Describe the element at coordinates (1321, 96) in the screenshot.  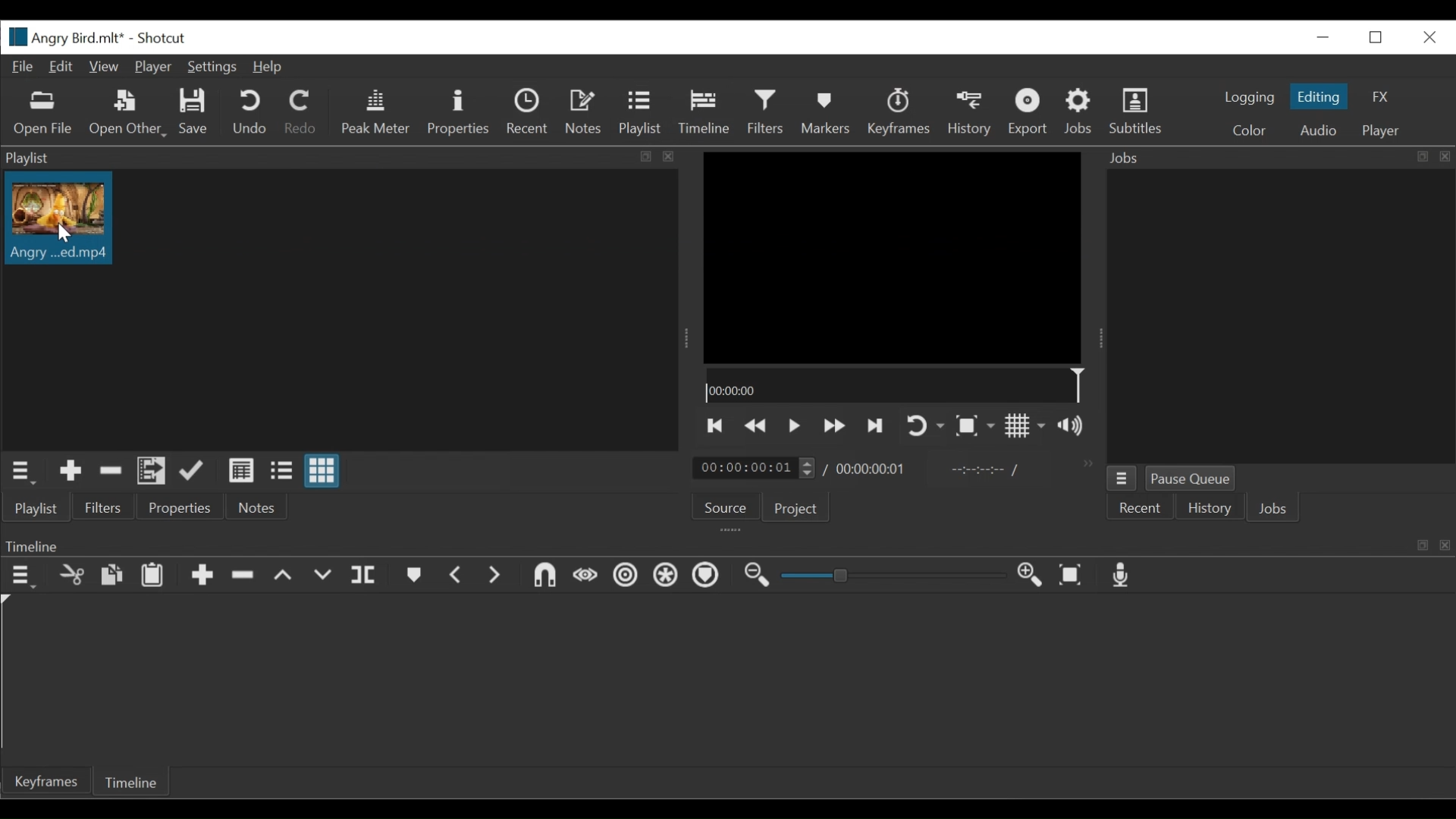
I see `Editing` at that location.